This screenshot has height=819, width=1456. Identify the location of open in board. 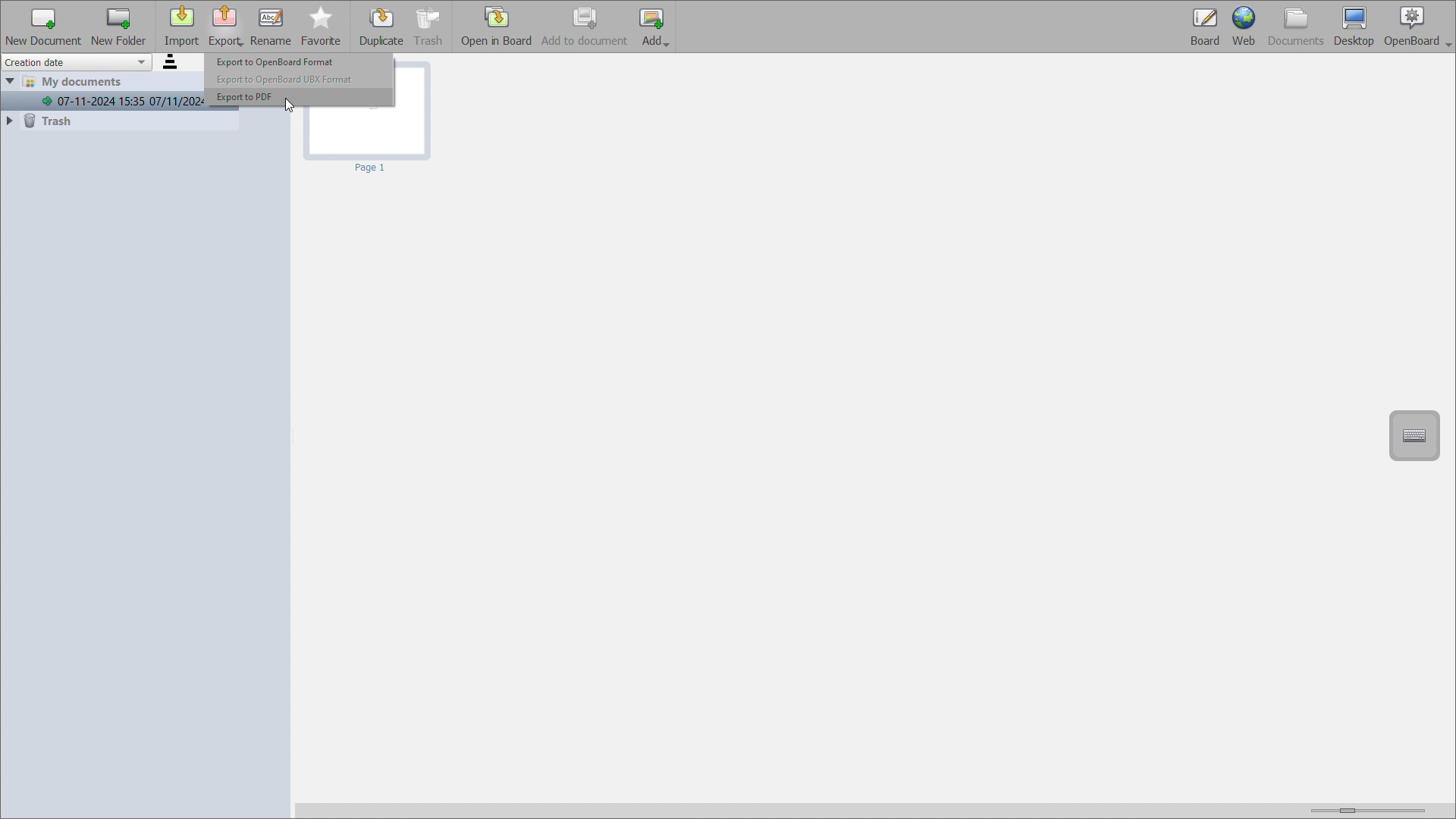
(496, 26).